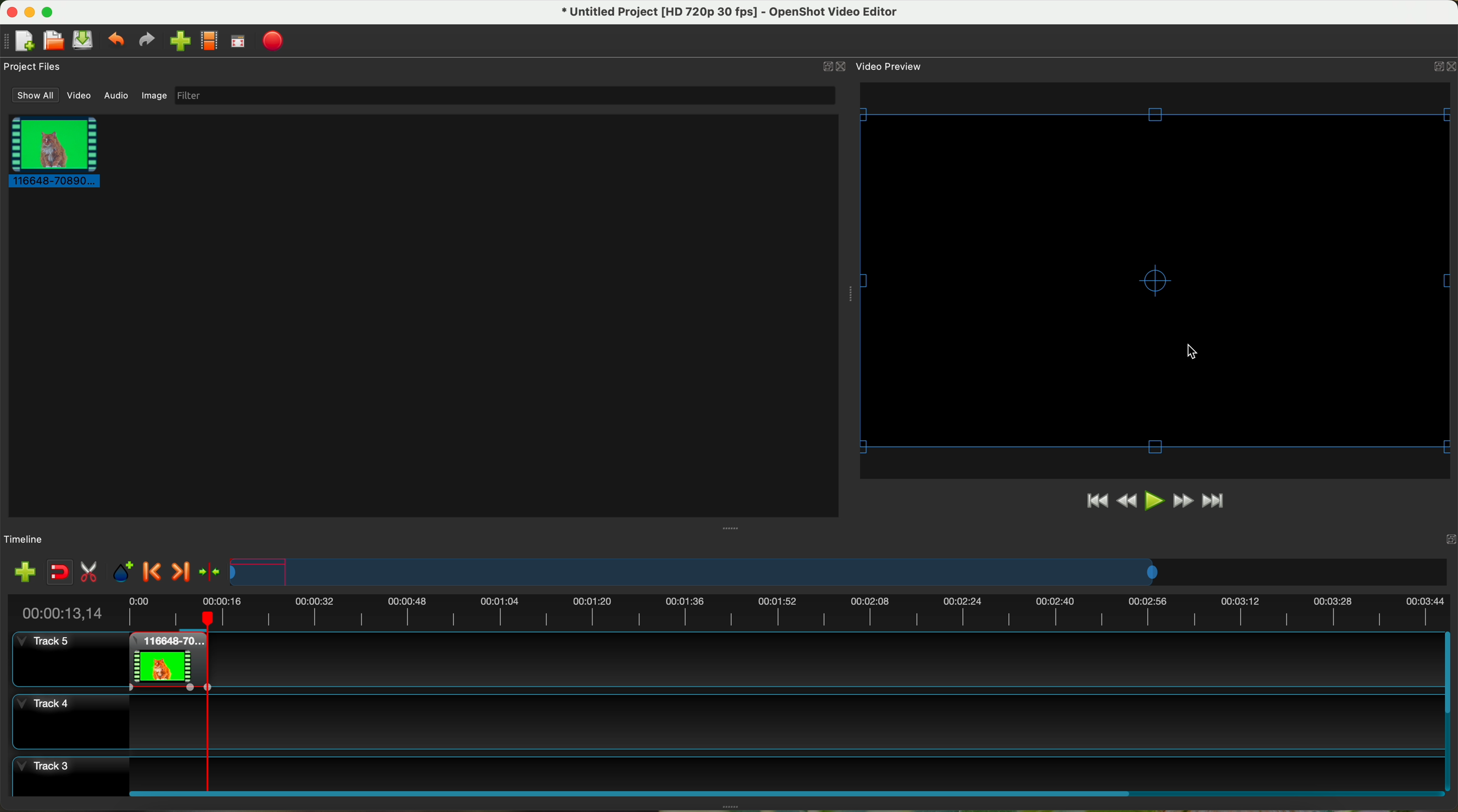  Describe the element at coordinates (1215, 502) in the screenshot. I see `jump to end` at that location.